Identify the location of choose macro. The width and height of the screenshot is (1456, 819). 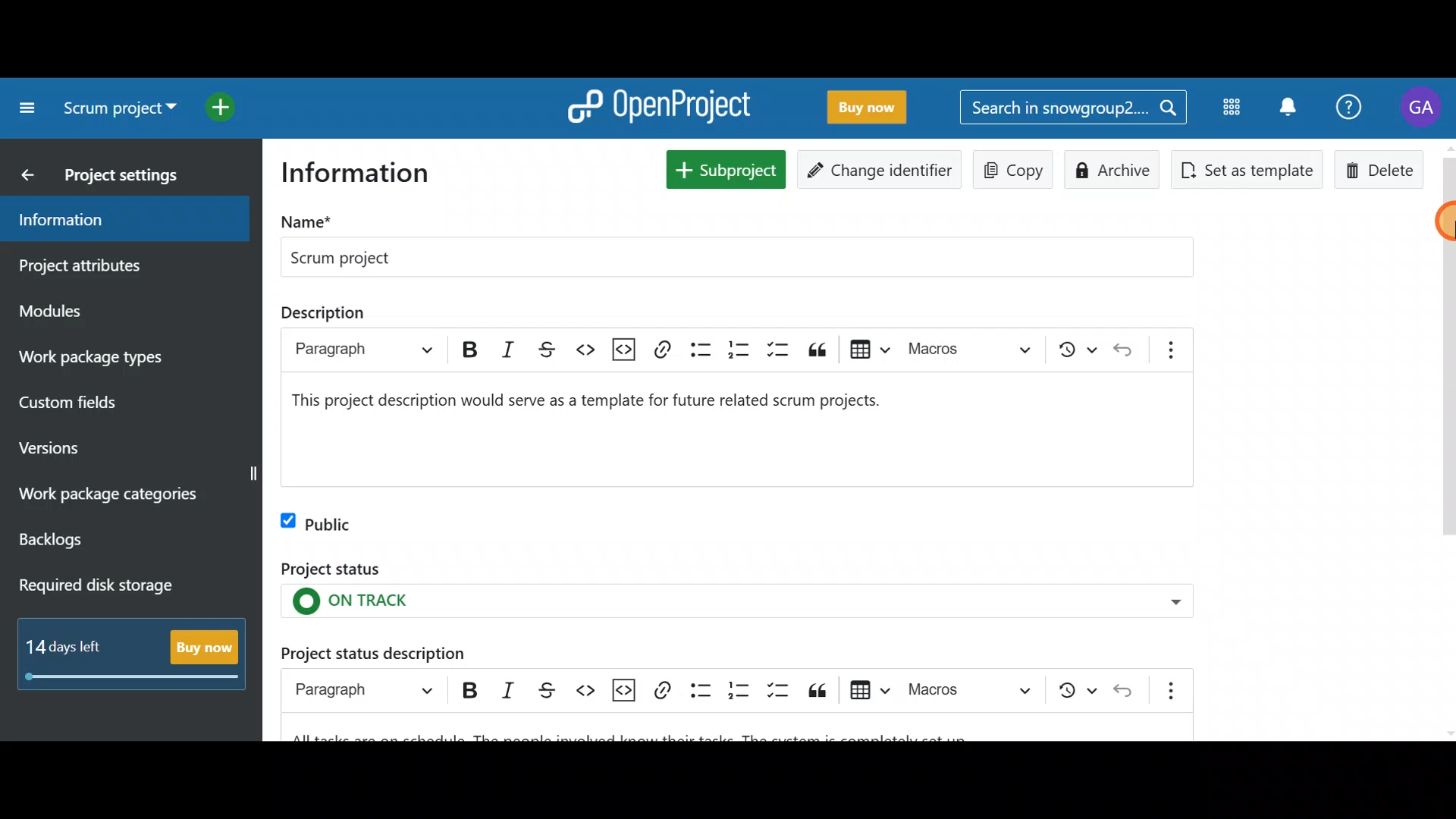
(971, 347).